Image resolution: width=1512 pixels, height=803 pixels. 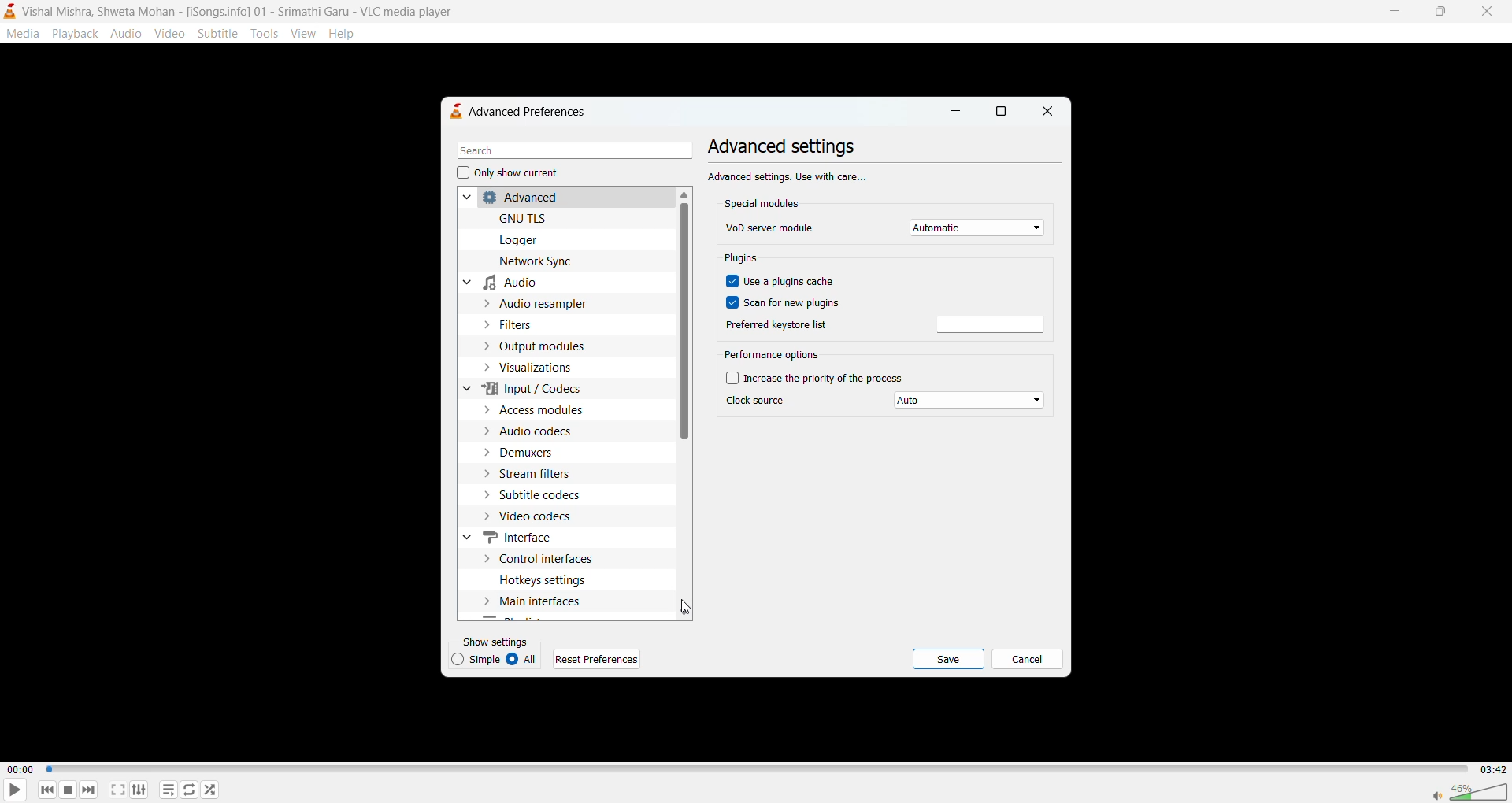 I want to click on next, so click(x=87, y=787).